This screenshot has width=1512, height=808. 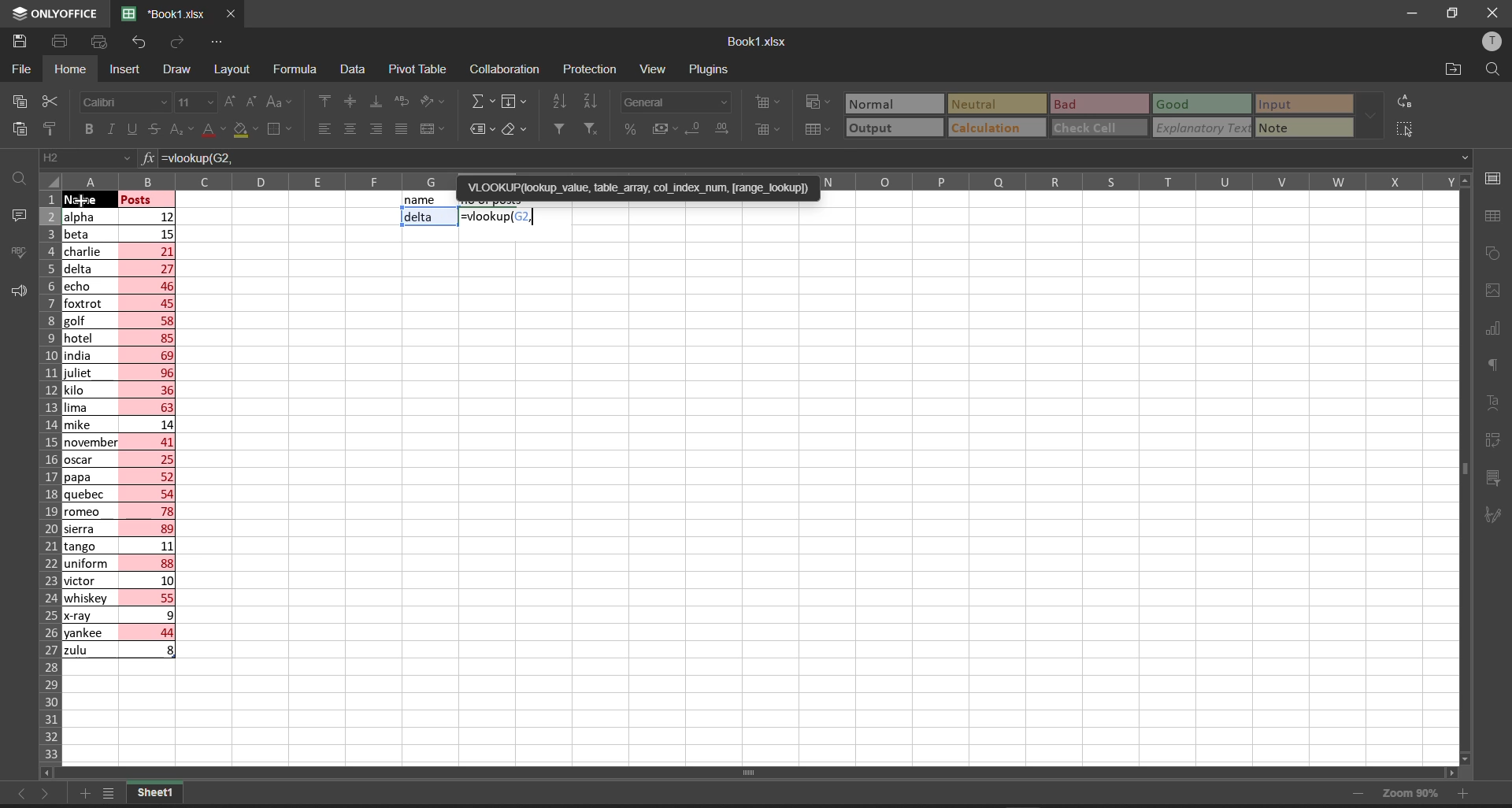 What do you see at coordinates (247, 131) in the screenshot?
I see `fill color` at bounding box center [247, 131].